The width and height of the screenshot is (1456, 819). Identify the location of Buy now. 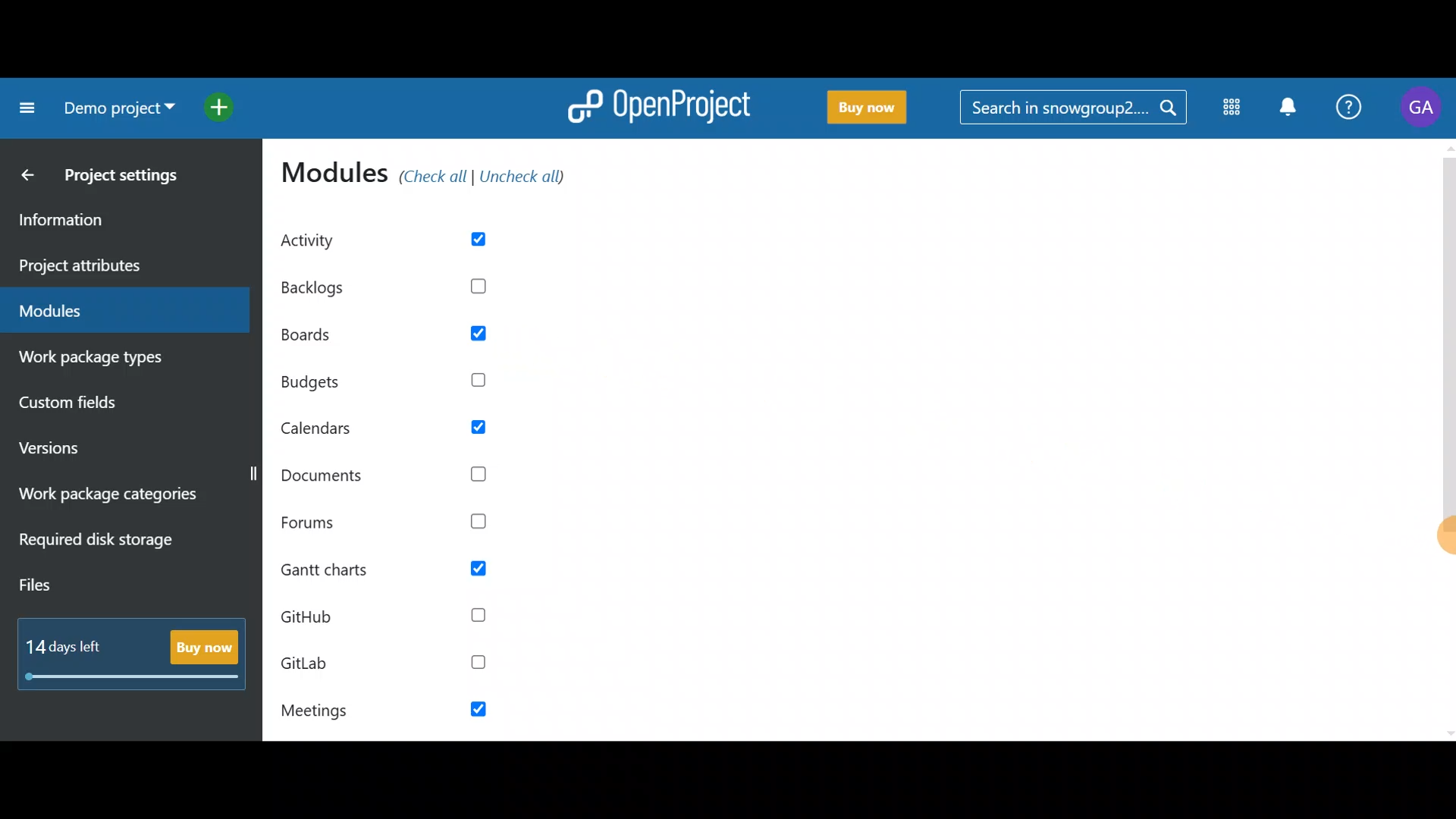
(136, 649).